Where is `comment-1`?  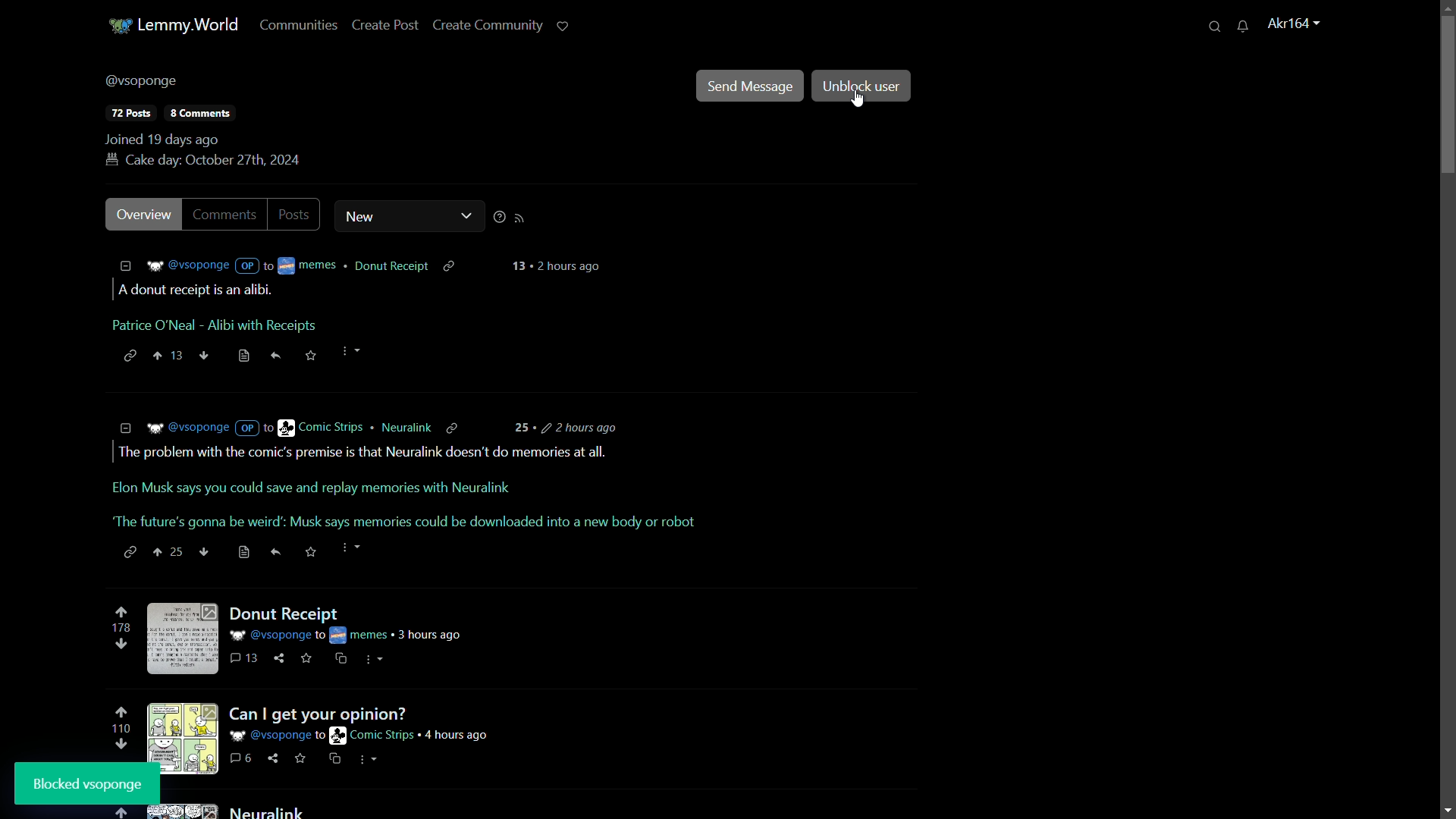 comment-1 is located at coordinates (357, 306).